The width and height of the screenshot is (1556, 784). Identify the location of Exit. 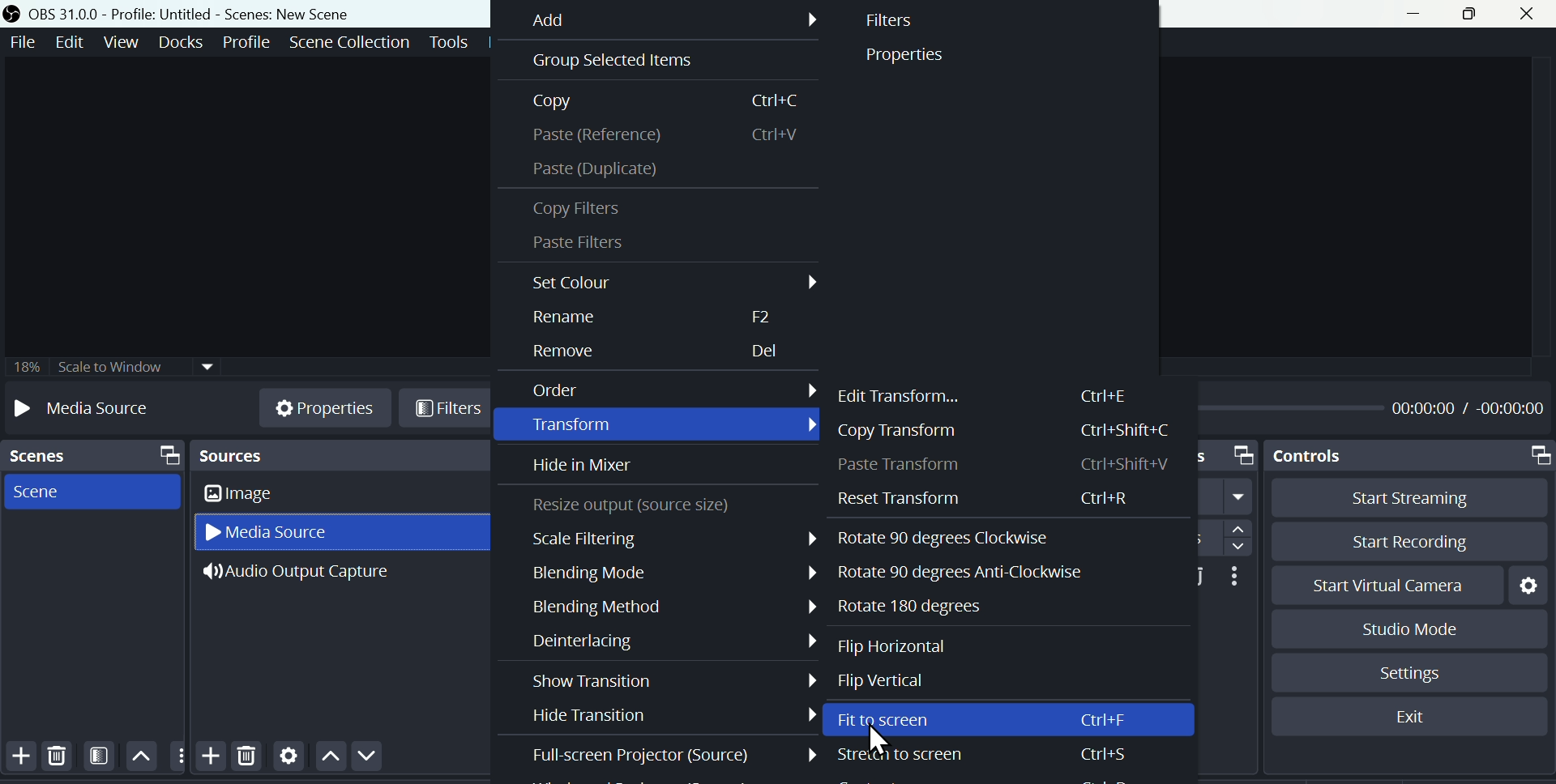
(1410, 716).